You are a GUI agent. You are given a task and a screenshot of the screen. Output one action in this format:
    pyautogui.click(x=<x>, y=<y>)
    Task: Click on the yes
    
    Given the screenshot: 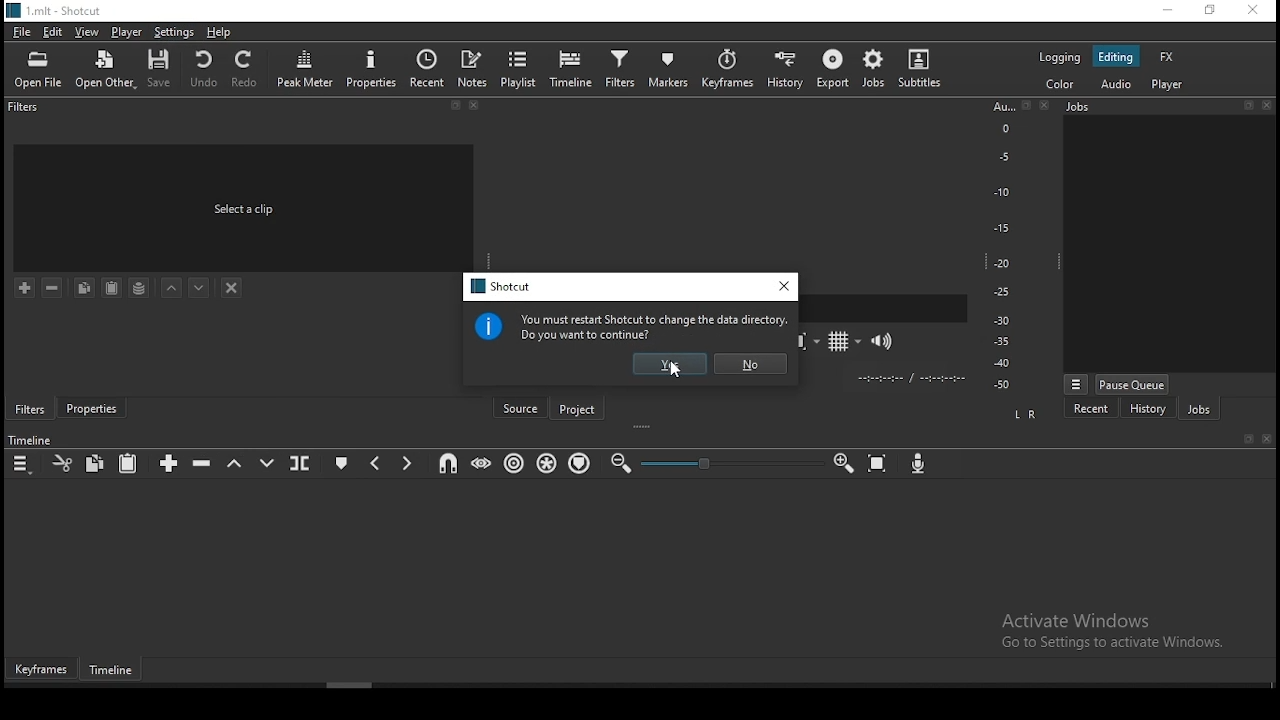 What is the action you would take?
    pyautogui.click(x=671, y=364)
    